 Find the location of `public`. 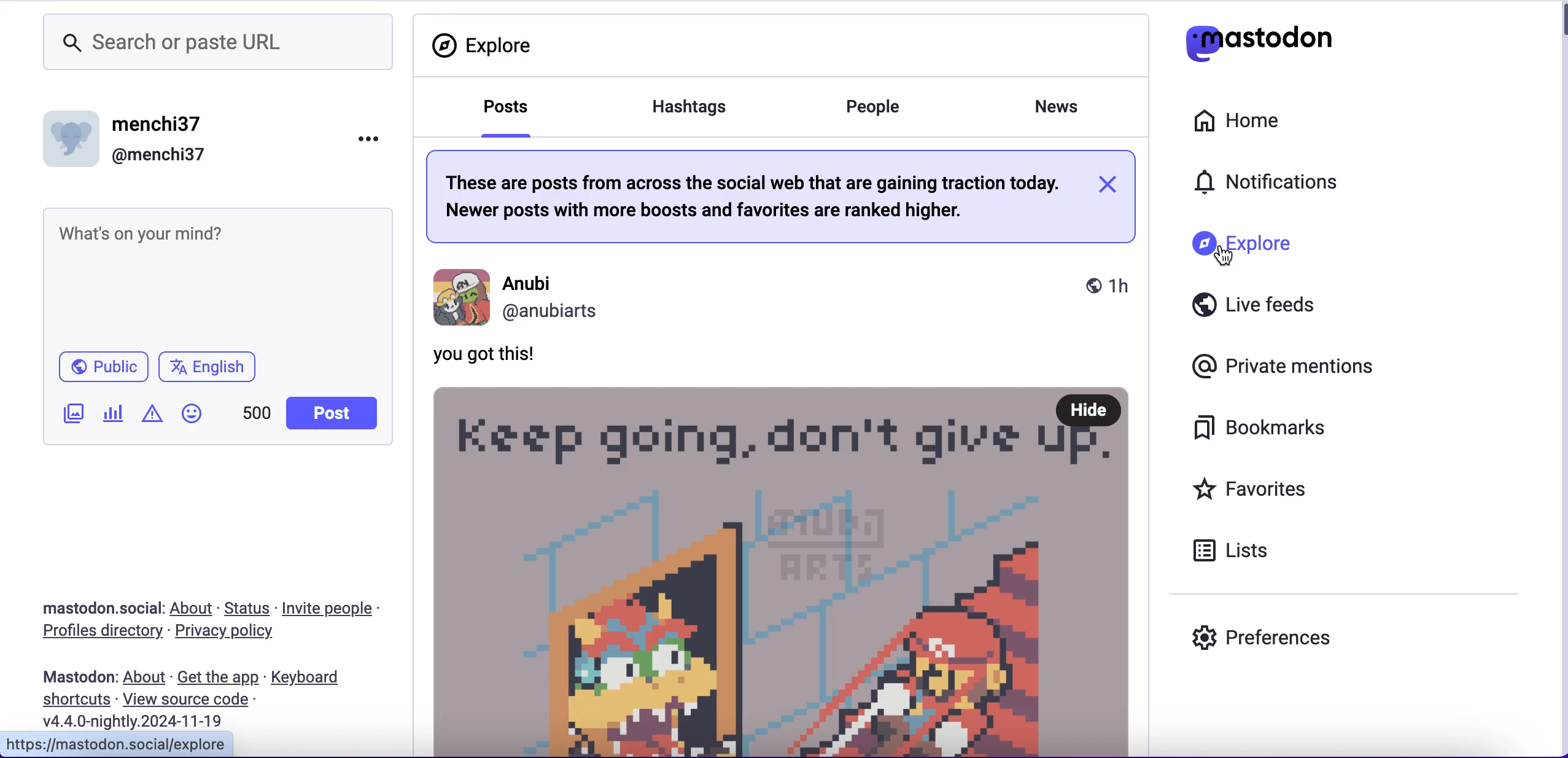

public is located at coordinates (102, 365).